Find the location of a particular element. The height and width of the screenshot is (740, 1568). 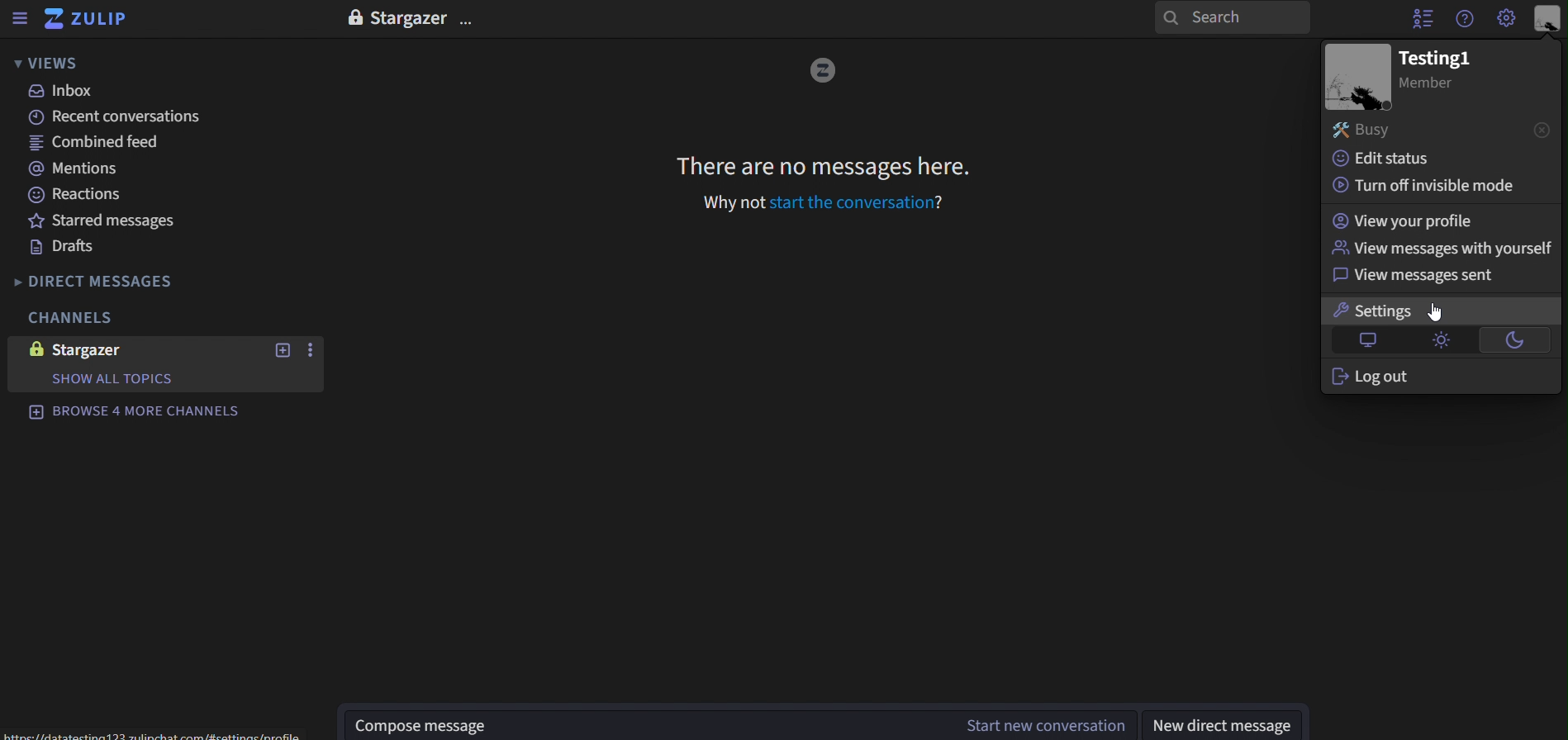

Stargazer... is located at coordinates (425, 17).